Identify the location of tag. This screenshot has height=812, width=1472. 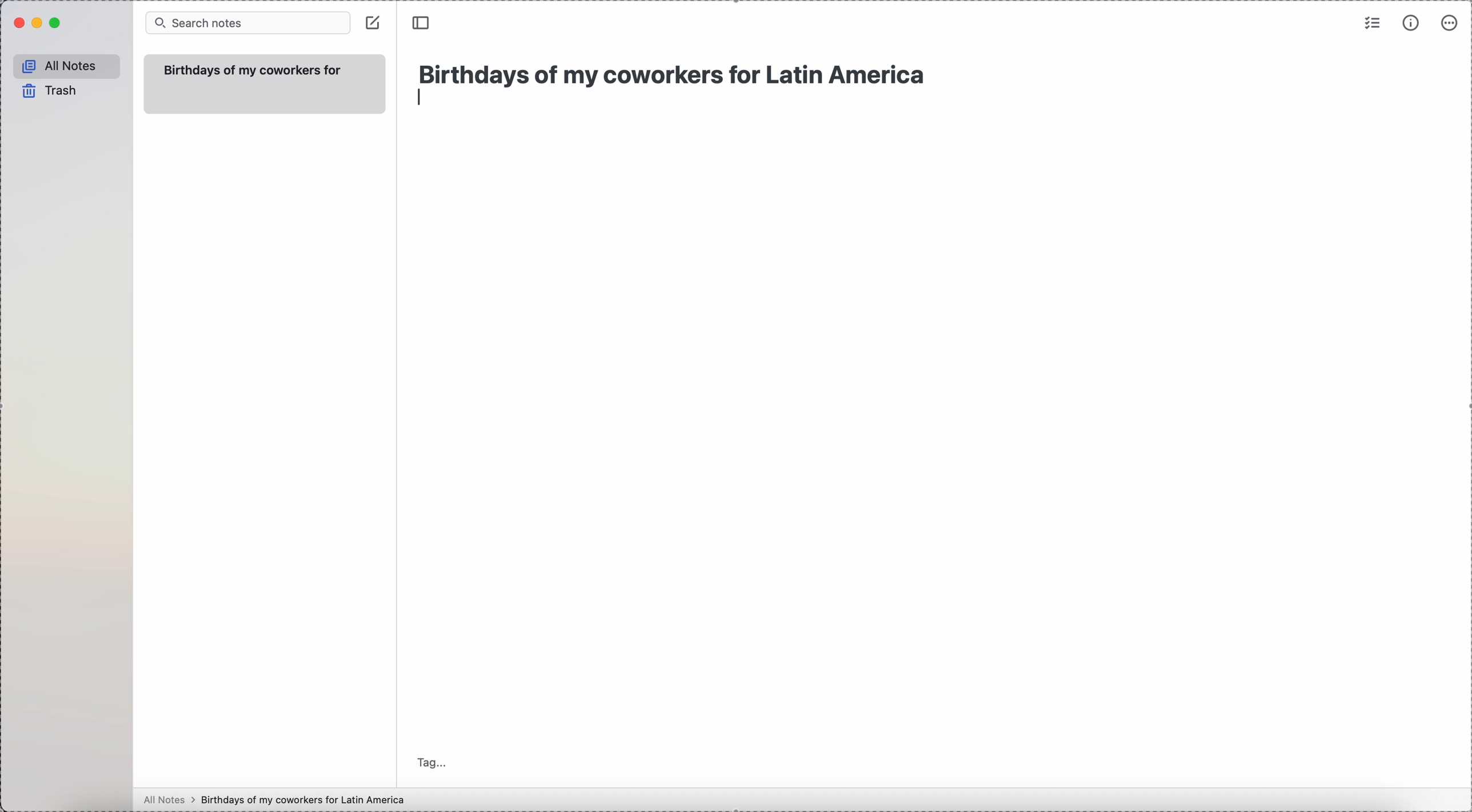
(433, 762).